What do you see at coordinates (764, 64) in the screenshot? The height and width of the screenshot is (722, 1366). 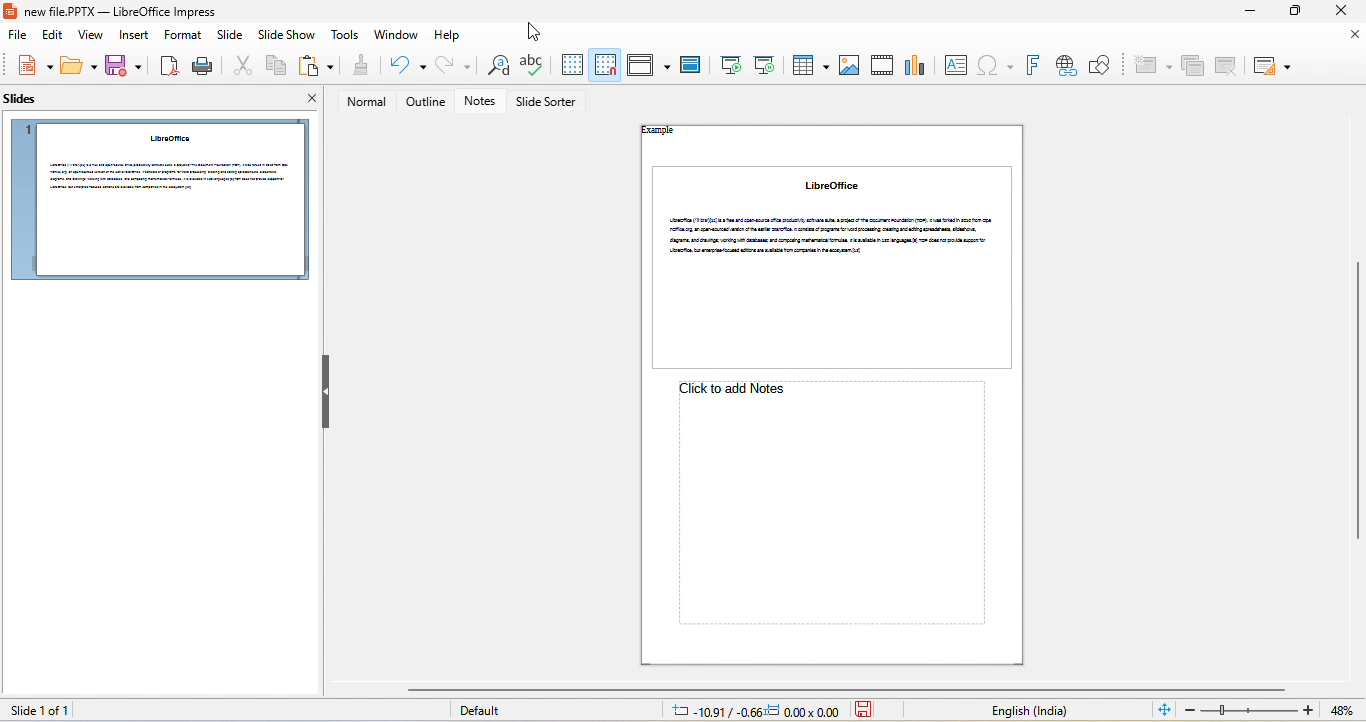 I see `start from current slide` at bounding box center [764, 64].